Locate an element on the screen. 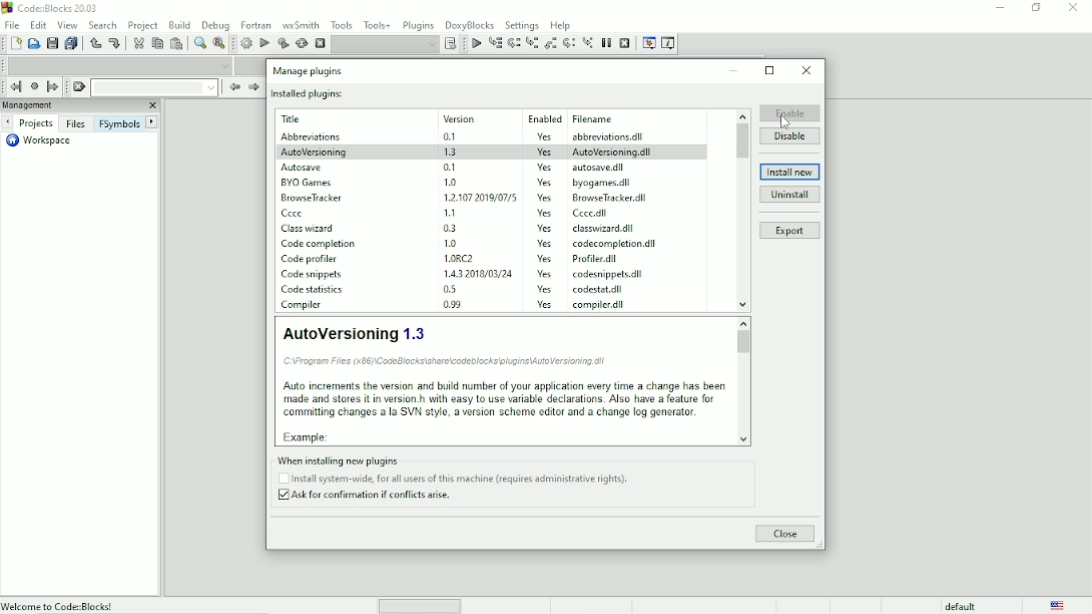  yes is located at coordinates (544, 182).